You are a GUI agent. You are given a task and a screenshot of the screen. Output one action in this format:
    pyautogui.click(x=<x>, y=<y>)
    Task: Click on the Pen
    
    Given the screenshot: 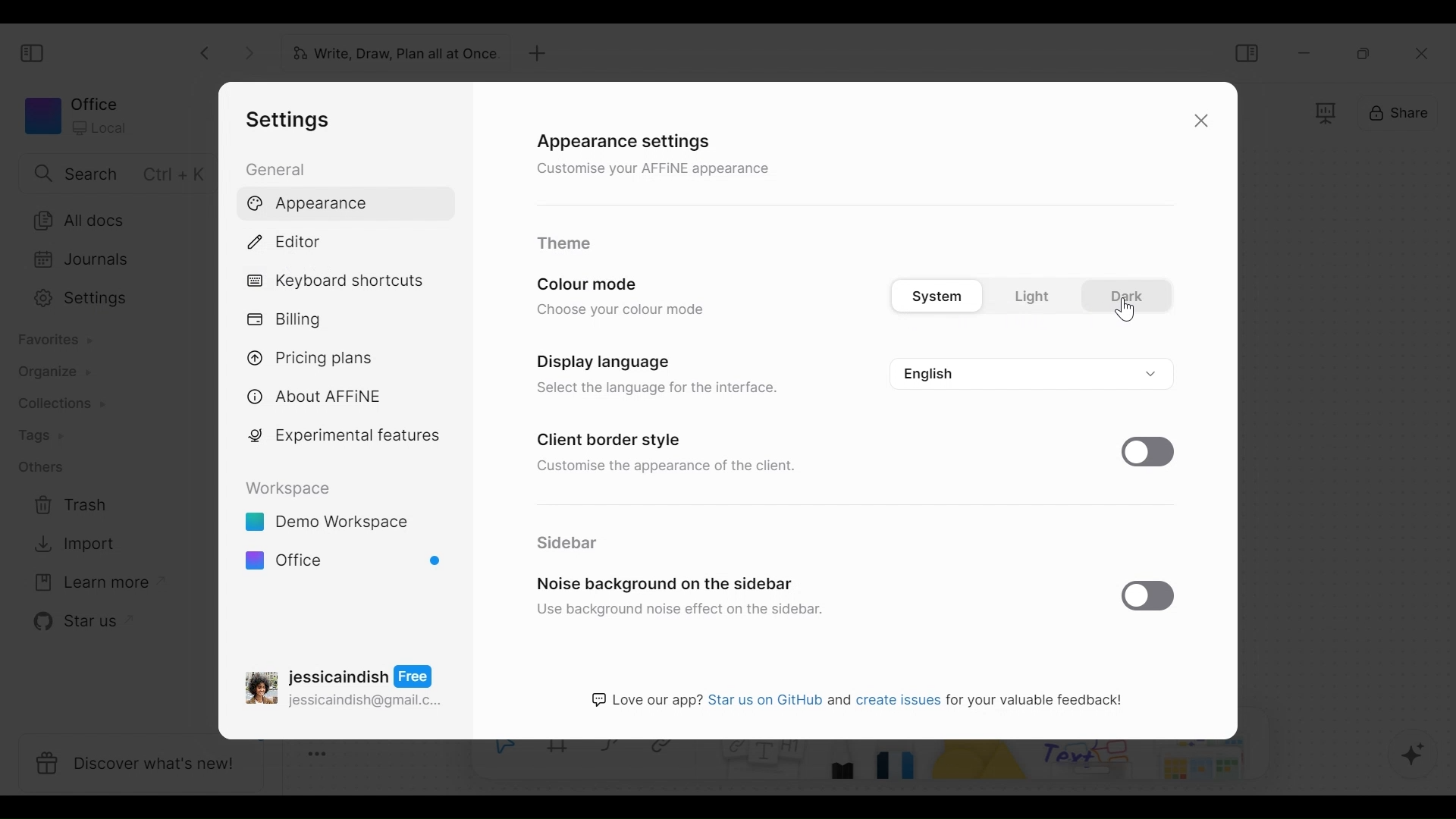 What is the action you would take?
    pyautogui.click(x=843, y=761)
    